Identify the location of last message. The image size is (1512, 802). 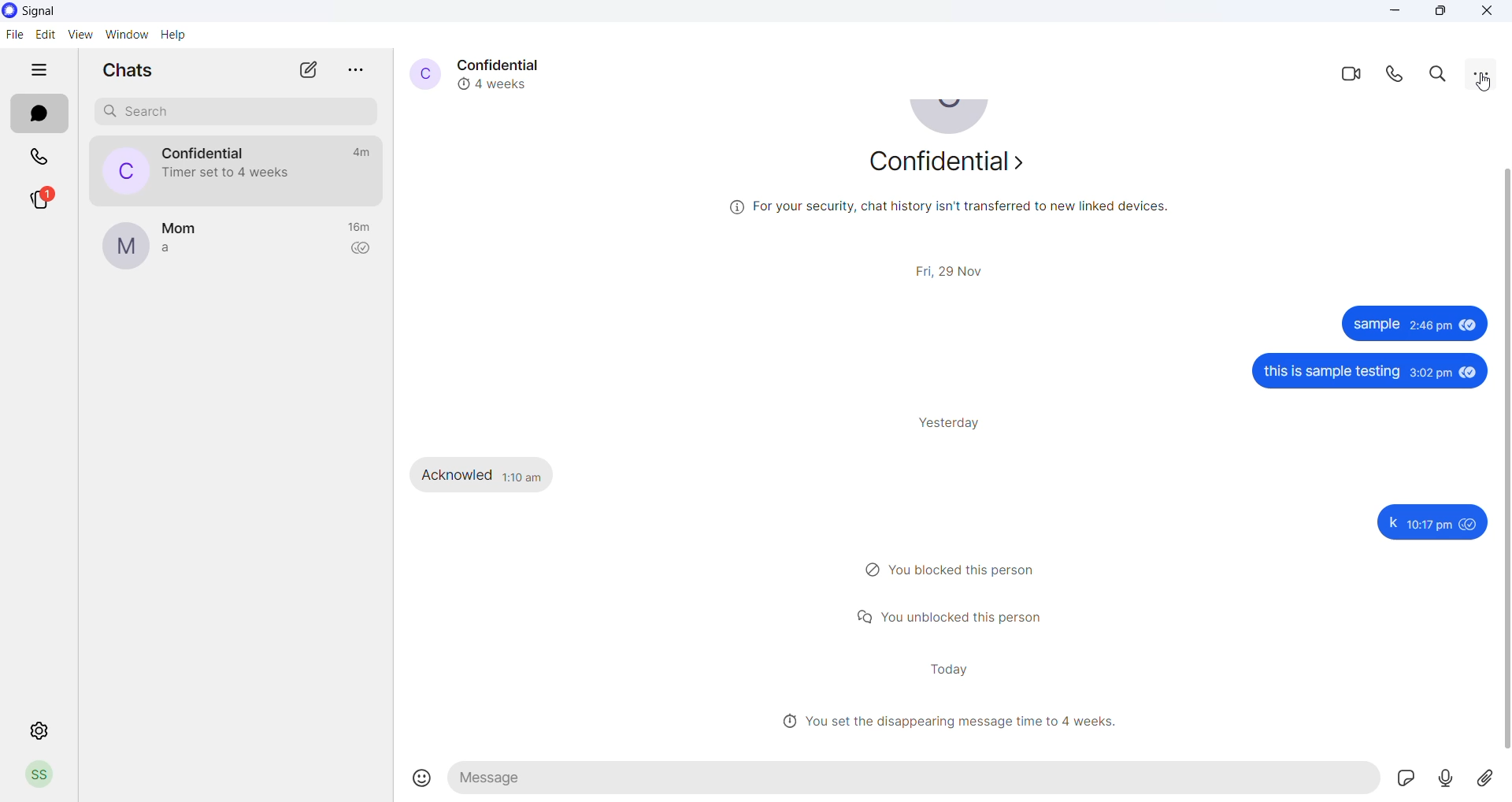
(176, 249).